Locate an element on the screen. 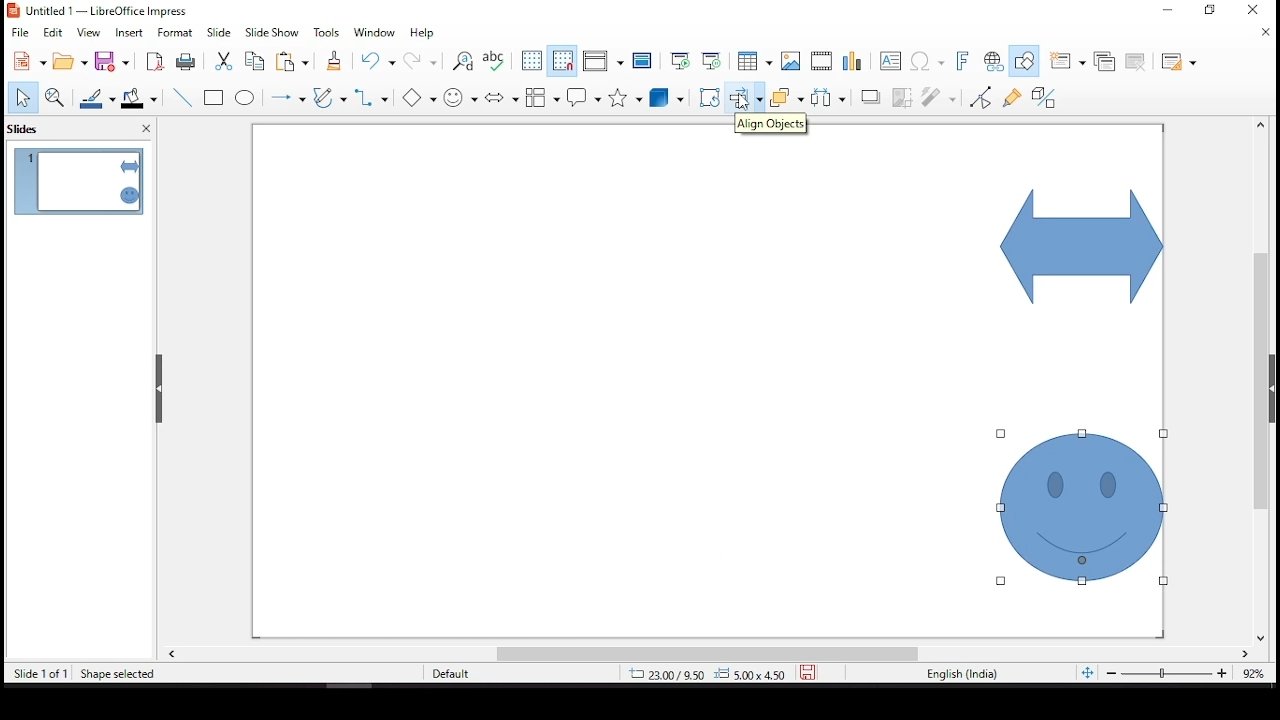 The height and width of the screenshot is (720, 1280). drag handles is located at coordinates (161, 389).